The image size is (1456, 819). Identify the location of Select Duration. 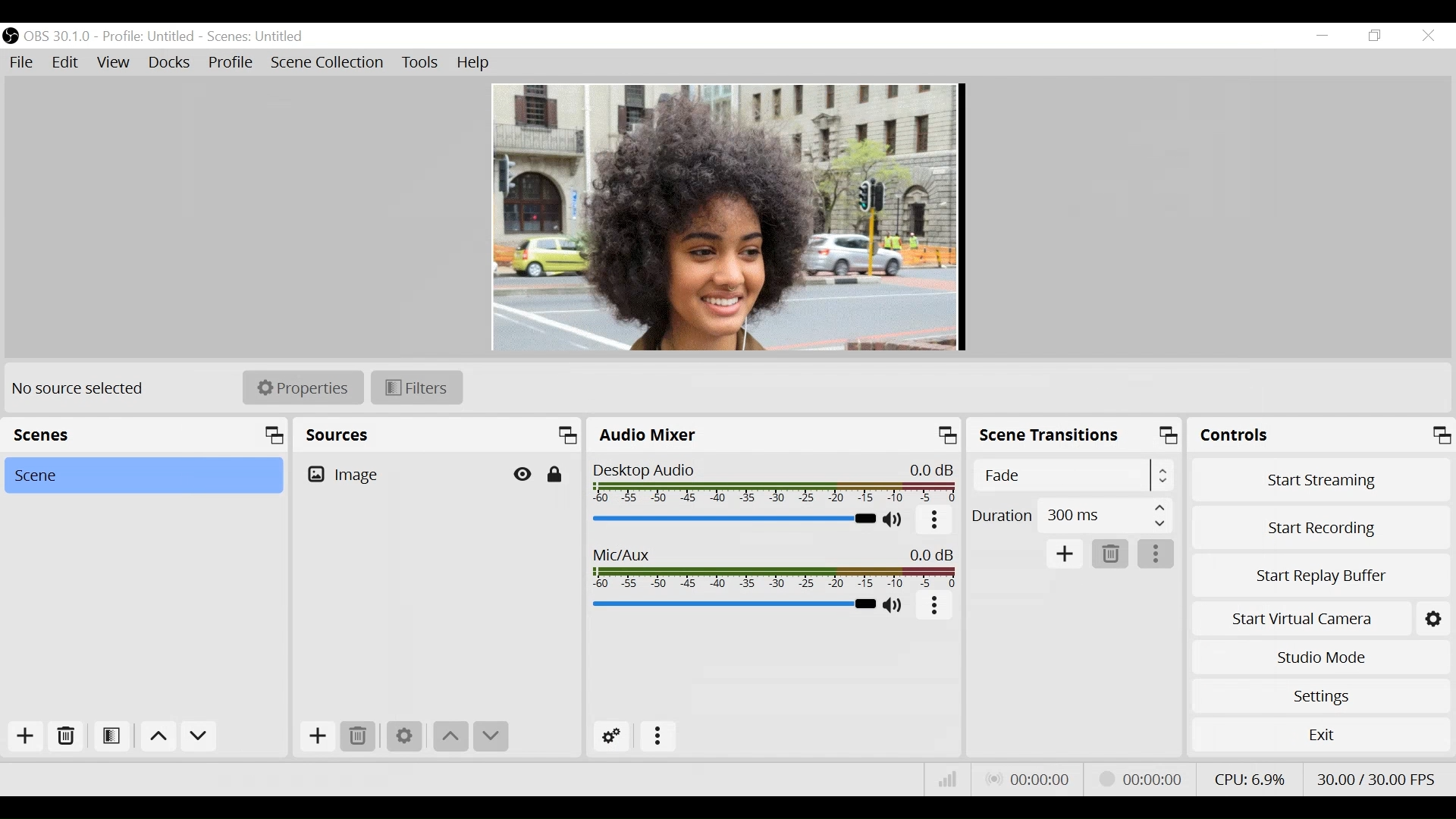
(1070, 516).